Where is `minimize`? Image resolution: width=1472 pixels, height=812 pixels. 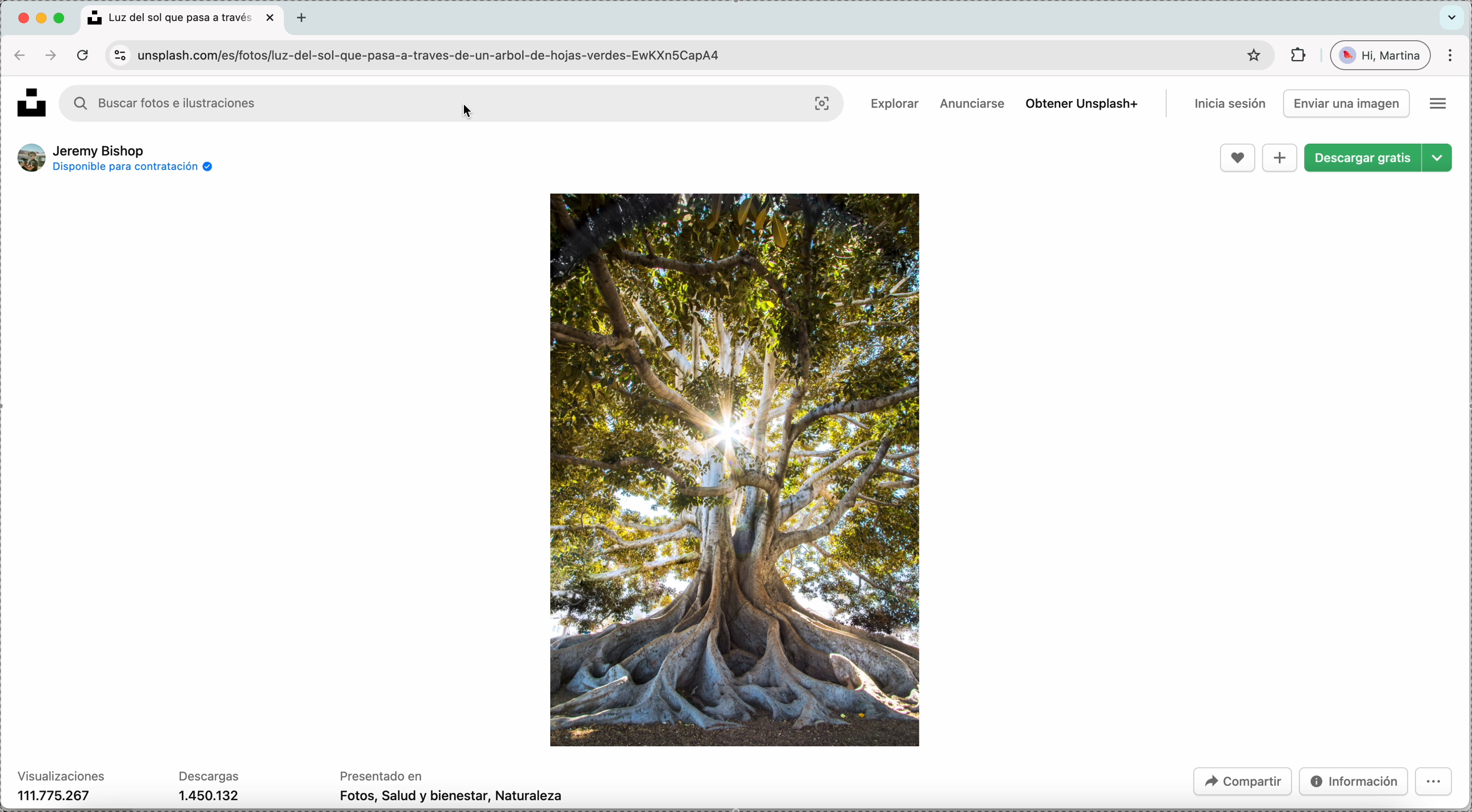 minimize is located at coordinates (43, 18).